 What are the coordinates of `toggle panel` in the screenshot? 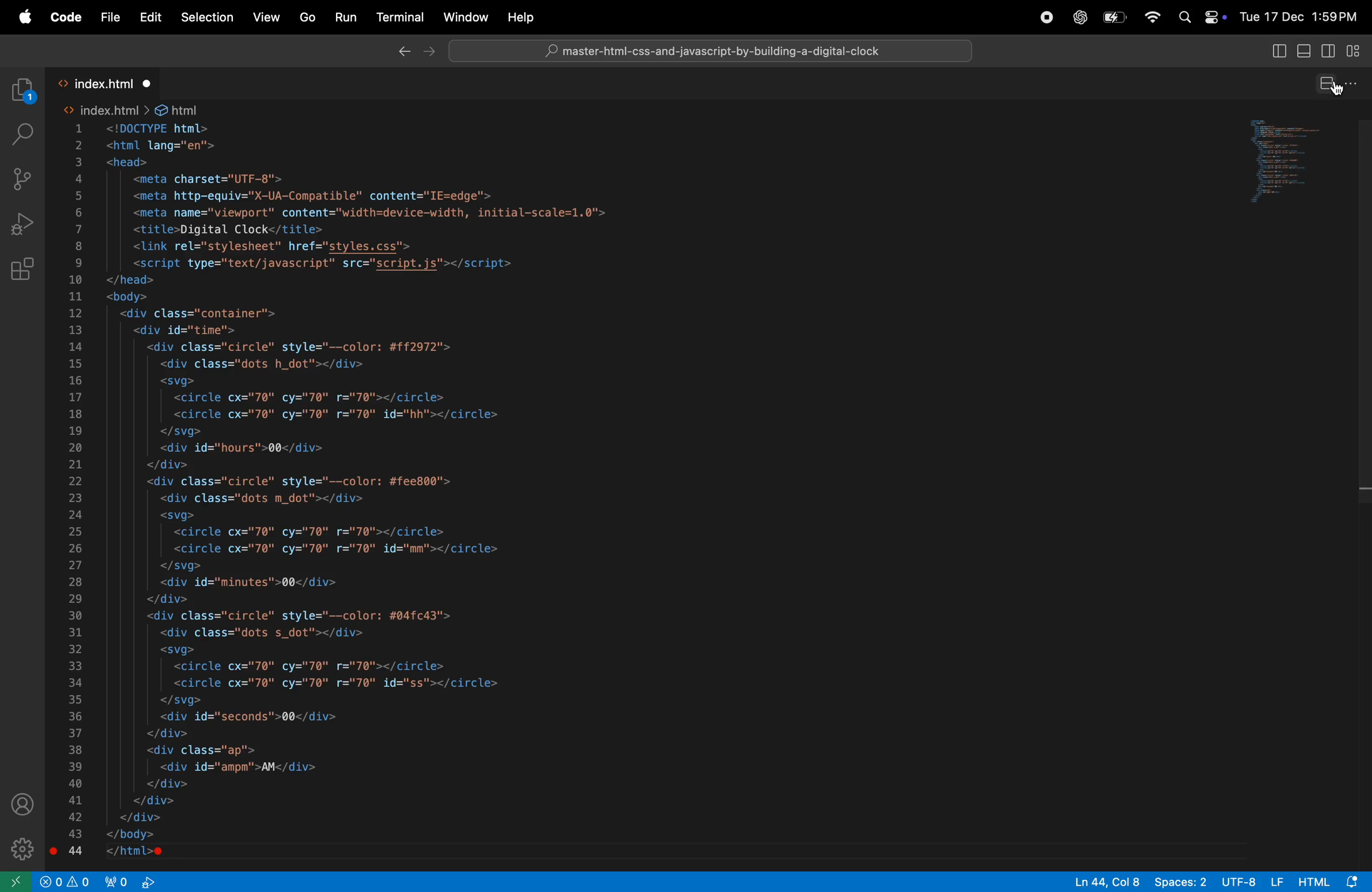 It's located at (1276, 52).